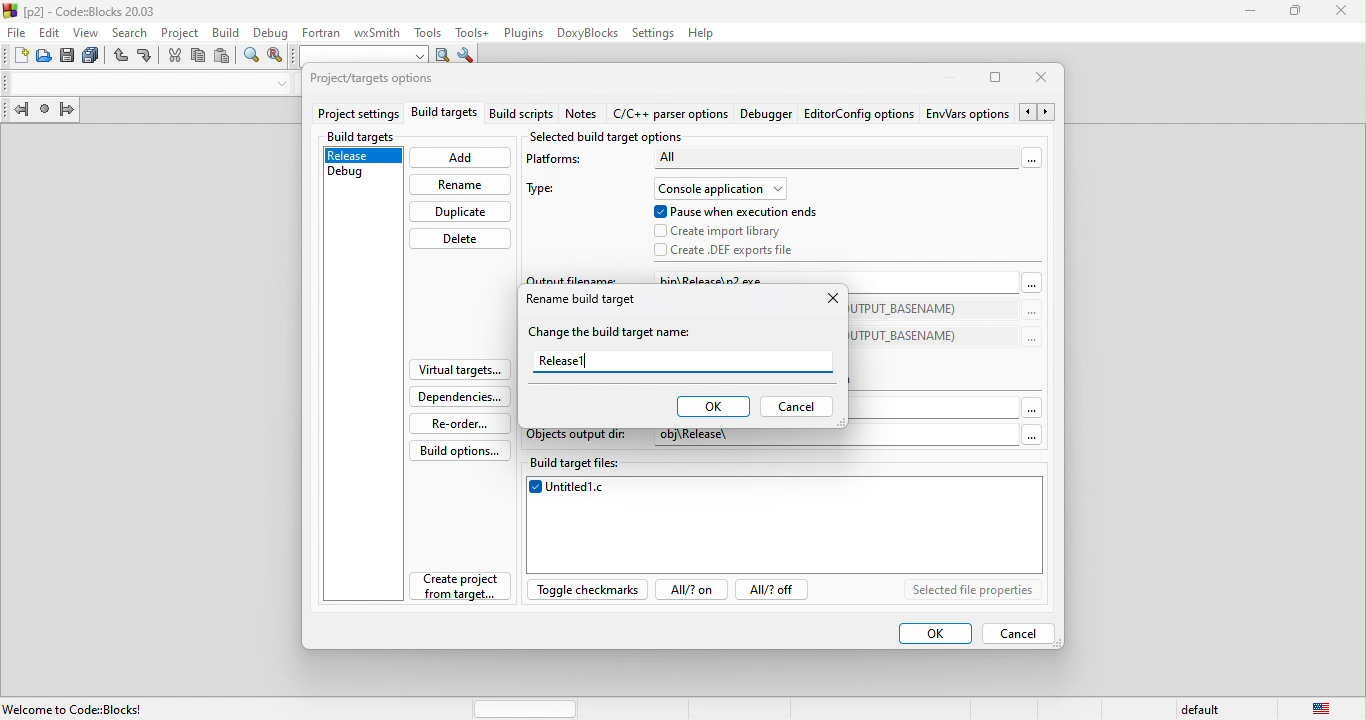  I want to click on settings, so click(653, 32).